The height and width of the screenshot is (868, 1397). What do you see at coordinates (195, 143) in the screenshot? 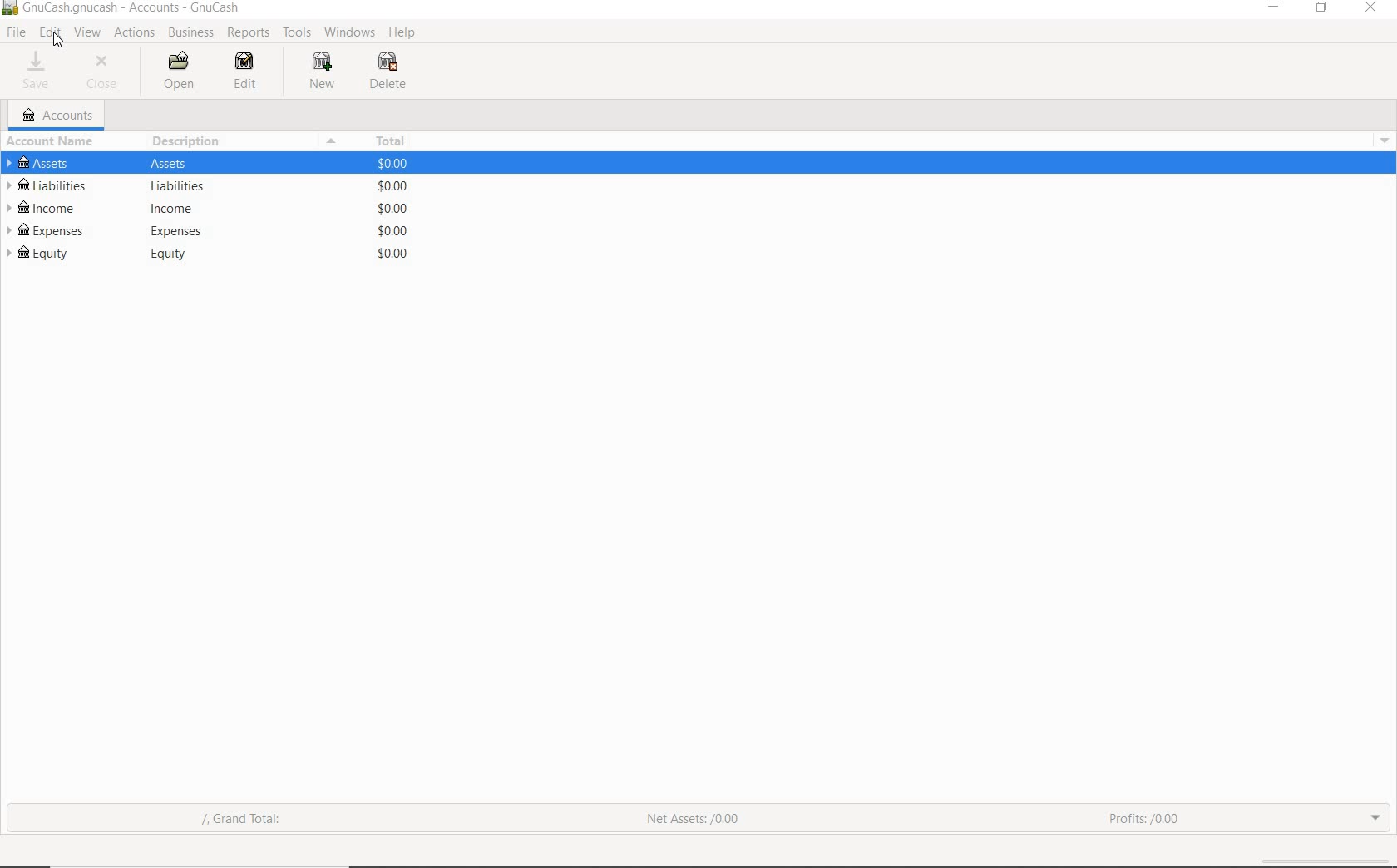
I see `DESCRIPTION` at bounding box center [195, 143].